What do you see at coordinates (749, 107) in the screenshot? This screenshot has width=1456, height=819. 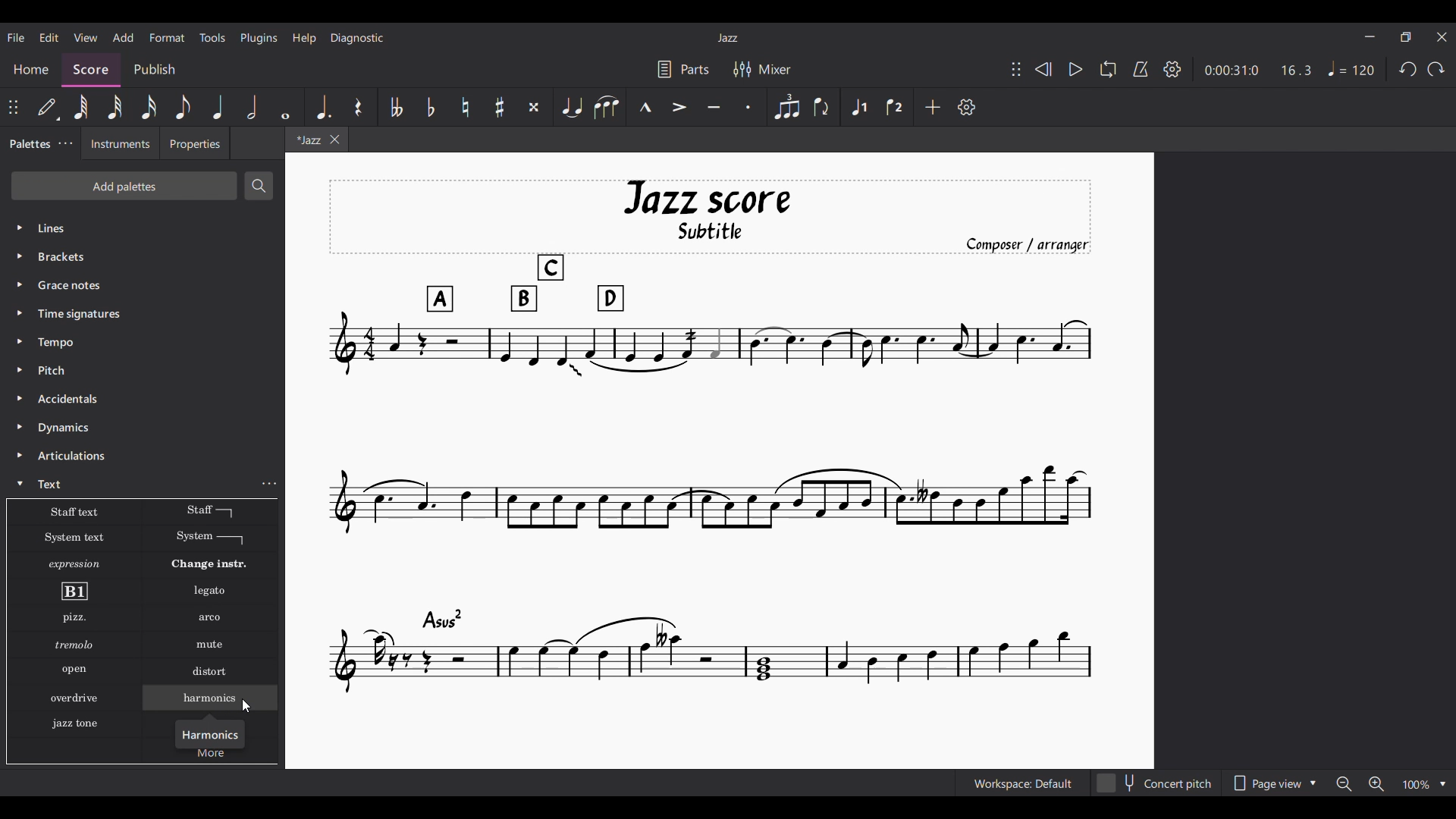 I see `Staccato` at bounding box center [749, 107].